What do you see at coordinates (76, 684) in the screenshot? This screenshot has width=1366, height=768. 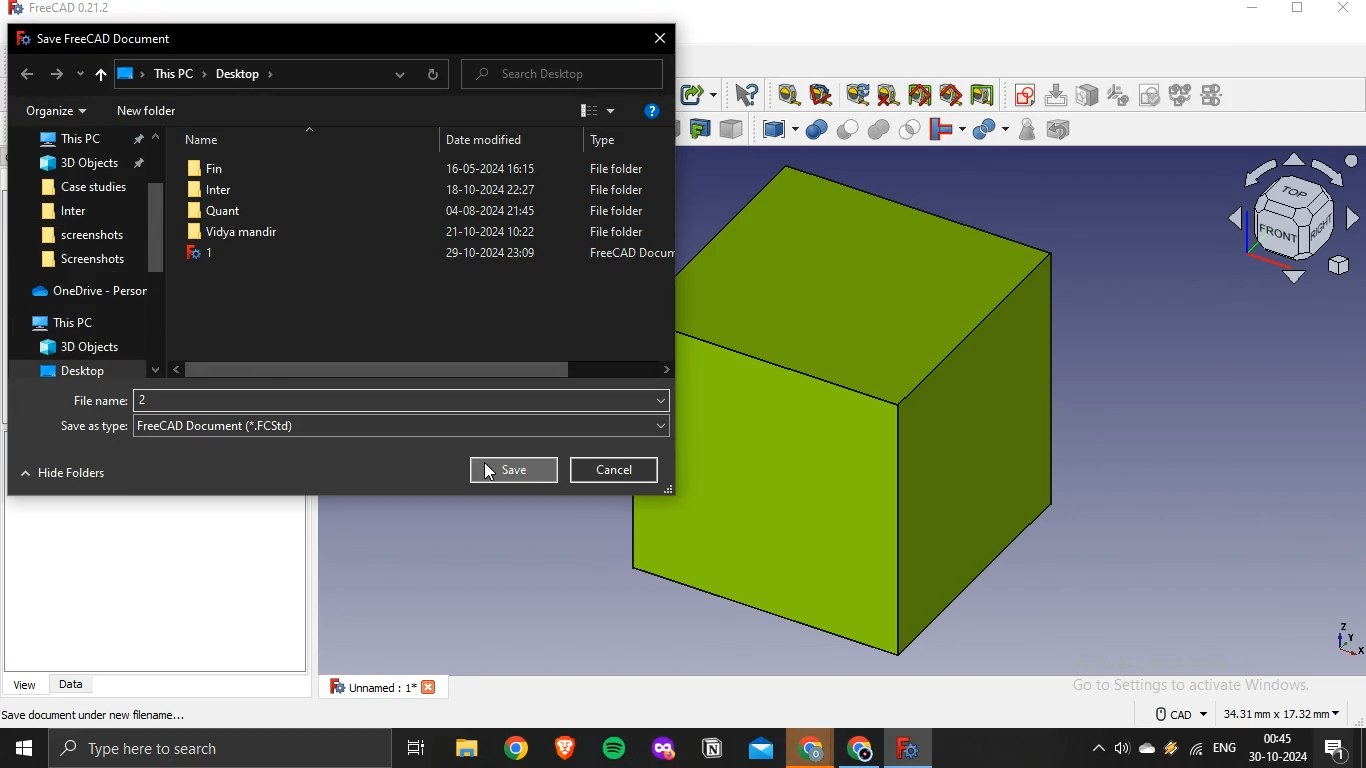 I see `data` at bounding box center [76, 684].